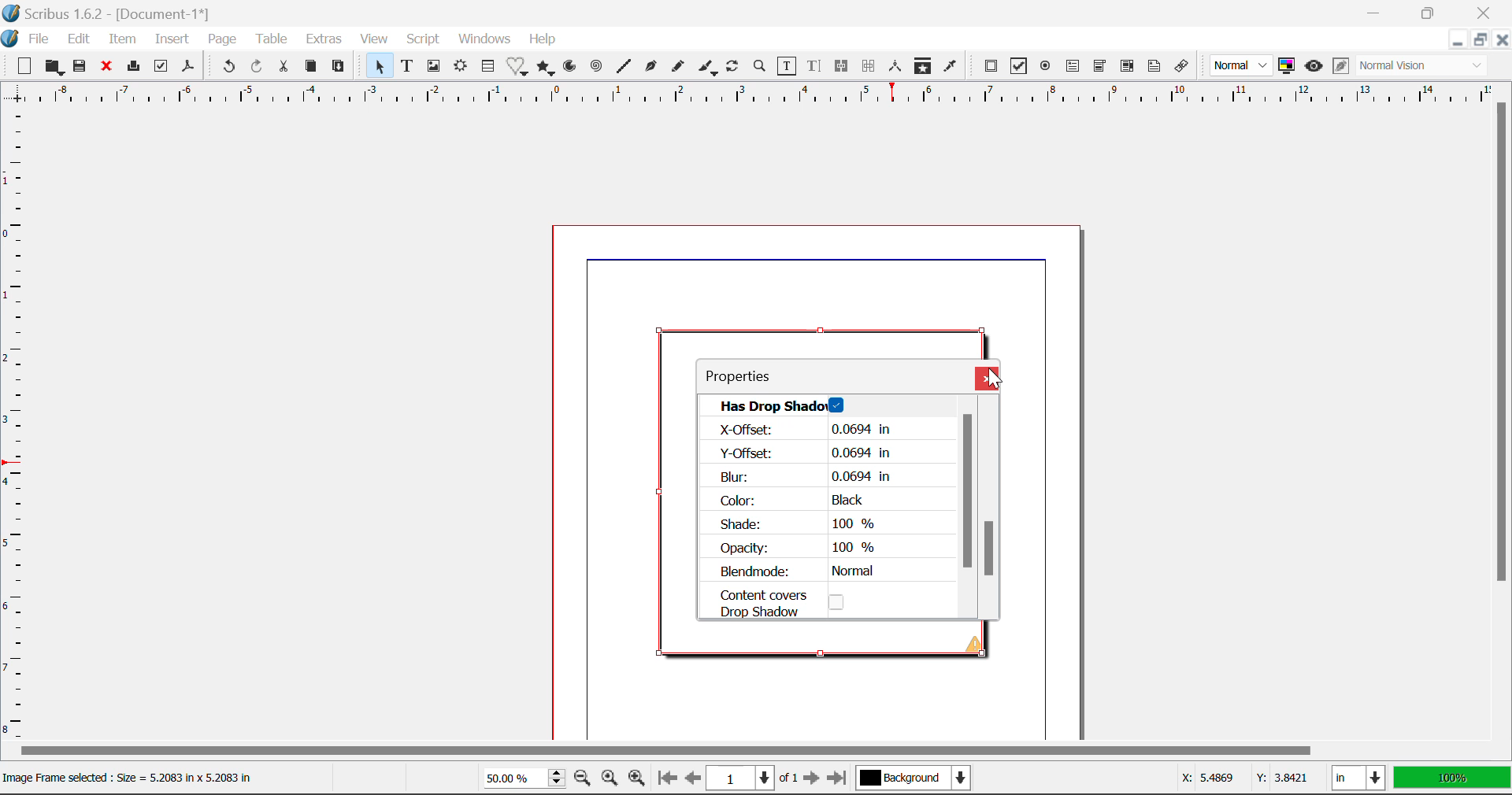  What do you see at coordinates (376, 40) in the screenshot?
I see `View` at bounding box center [376, 40].